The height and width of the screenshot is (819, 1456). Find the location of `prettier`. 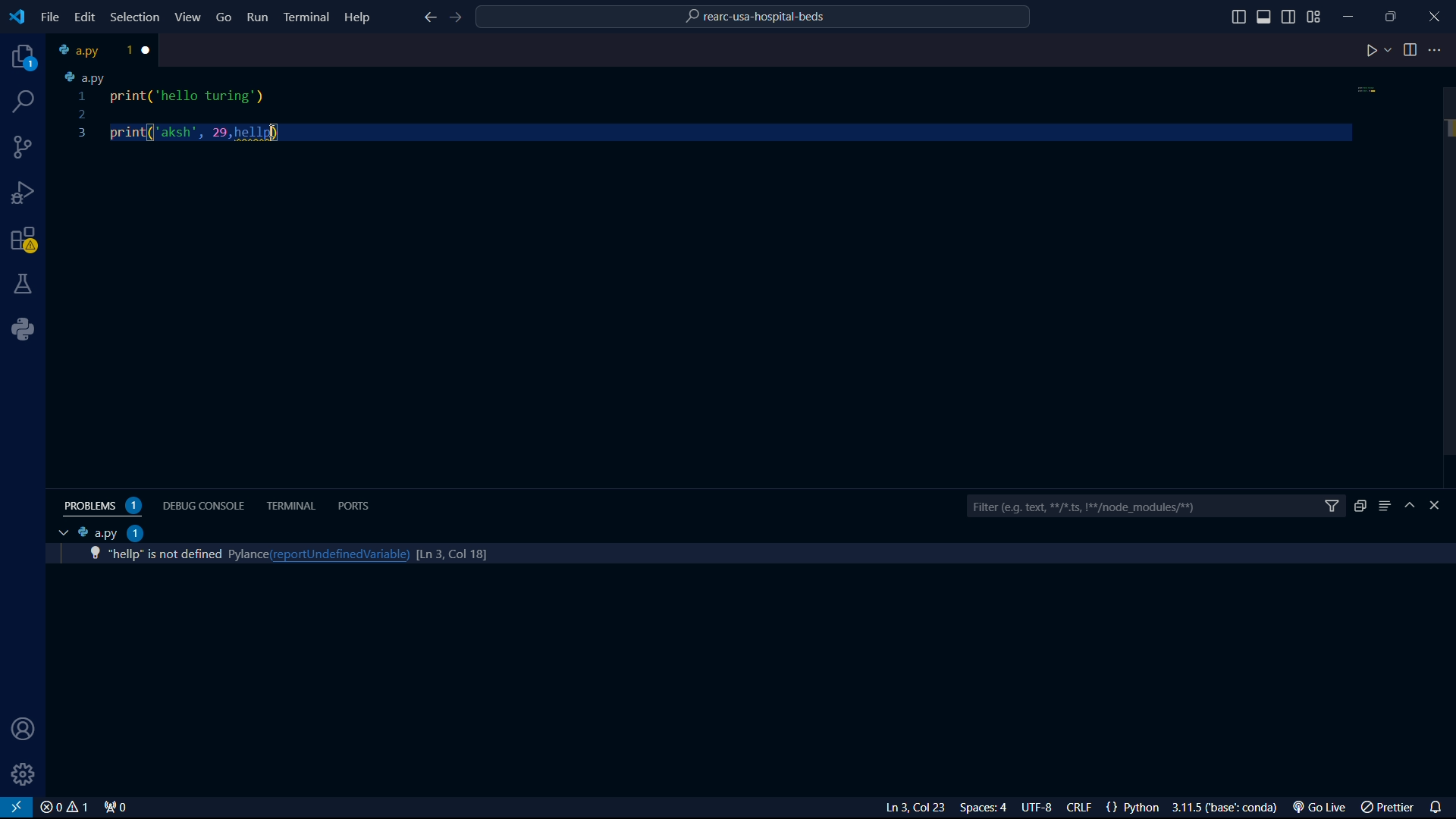

prettier is located at coordinates (1389, 808).